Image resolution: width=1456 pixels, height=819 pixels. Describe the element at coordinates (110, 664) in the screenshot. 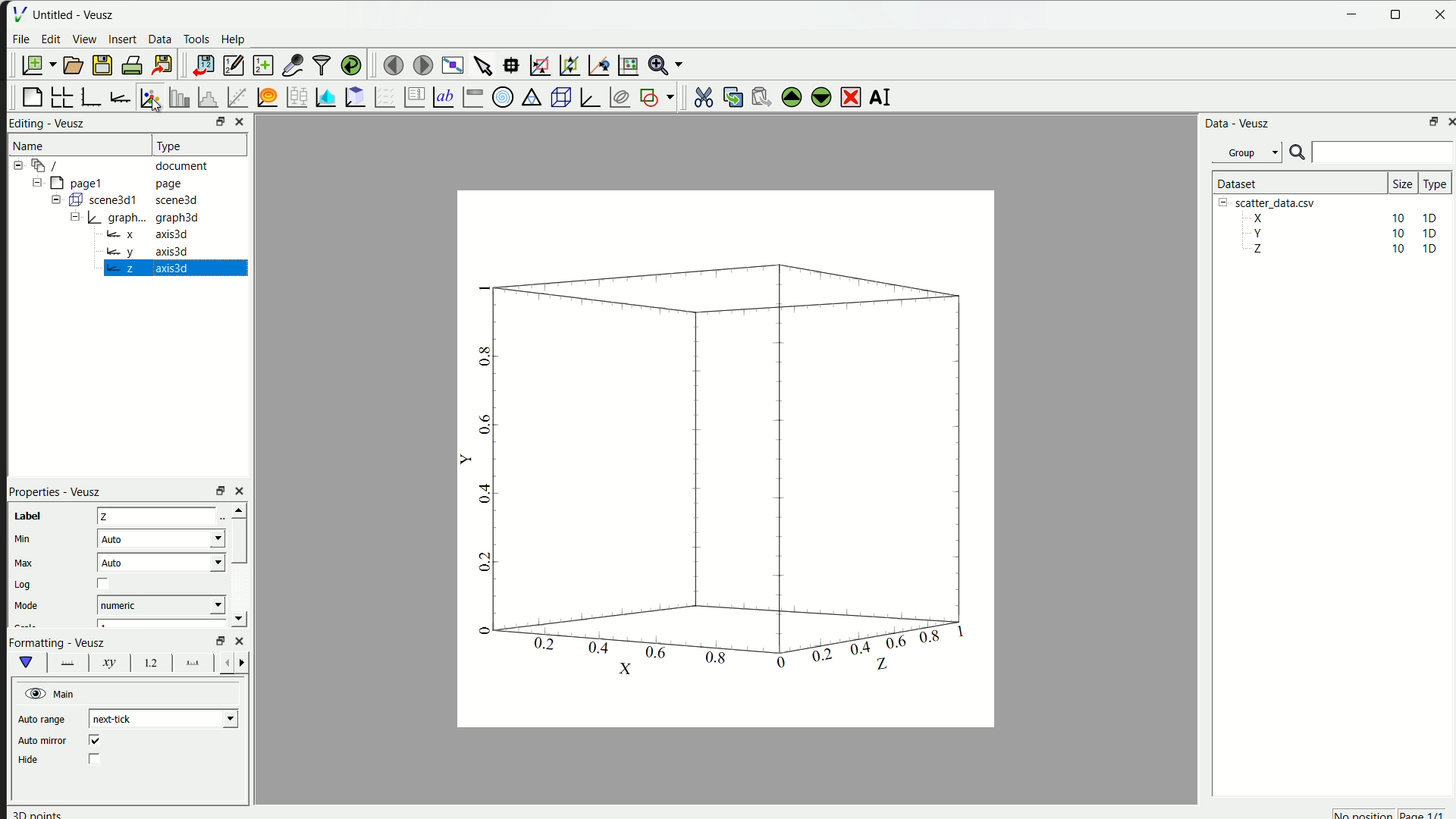

I see `xy` at that location.